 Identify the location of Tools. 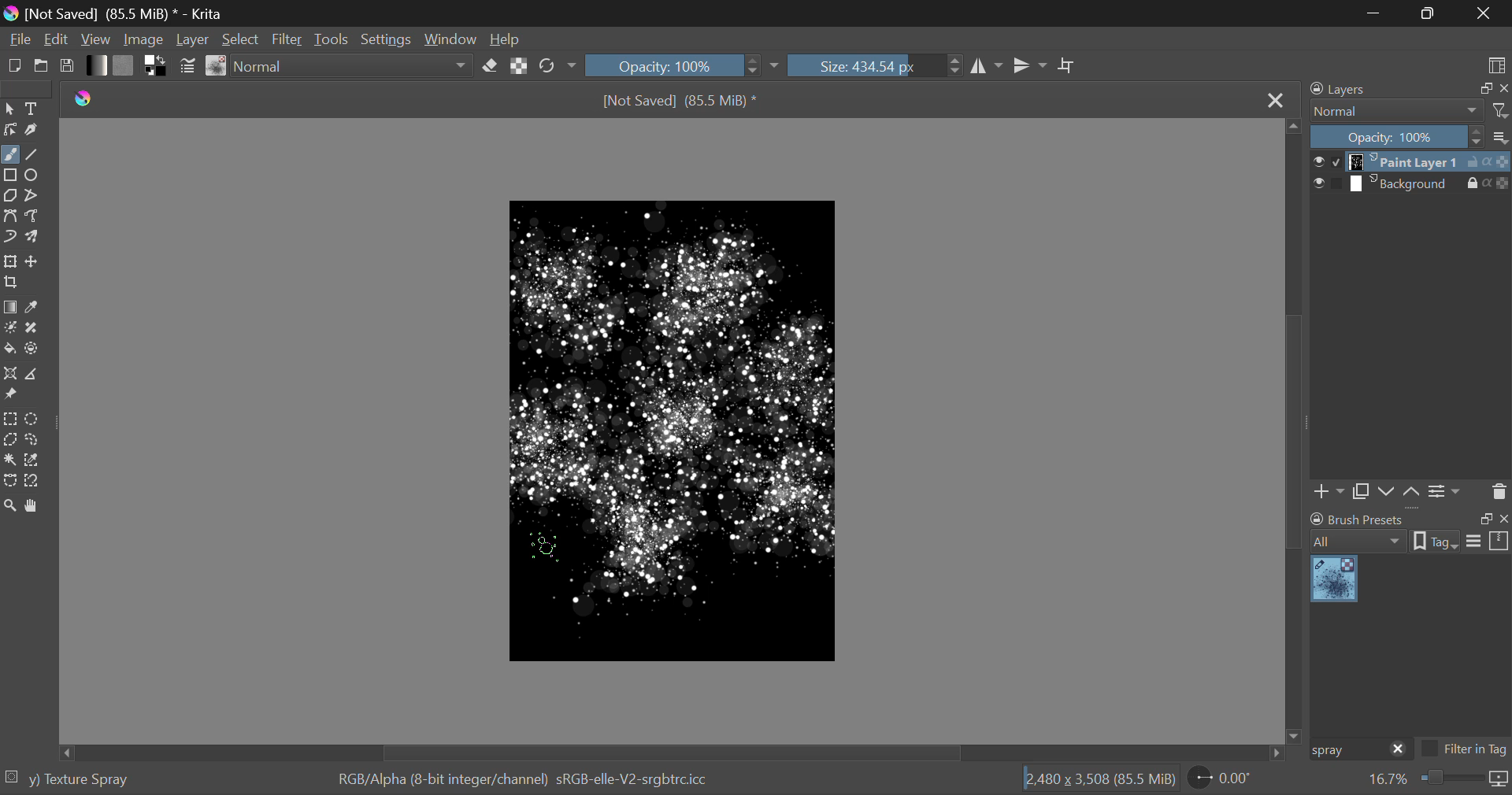
(334, 39).